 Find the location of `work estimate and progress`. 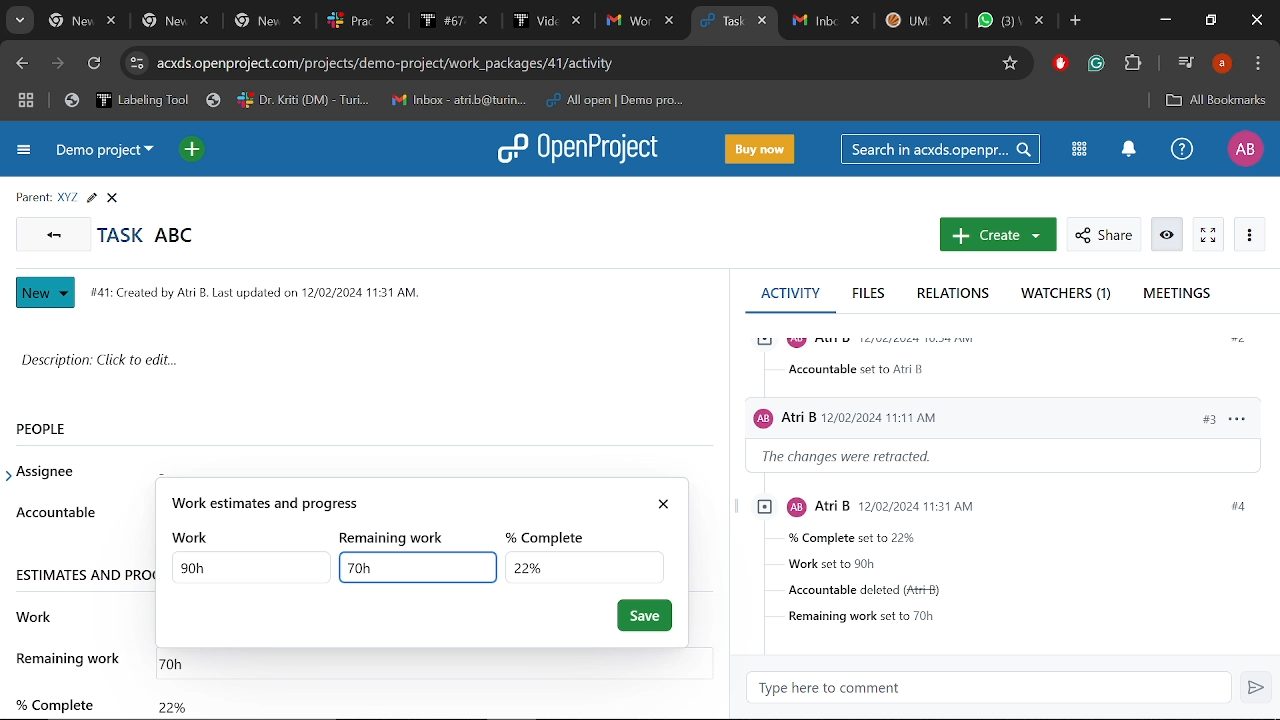

work estimate and progress is located at coordinates (403, 503).